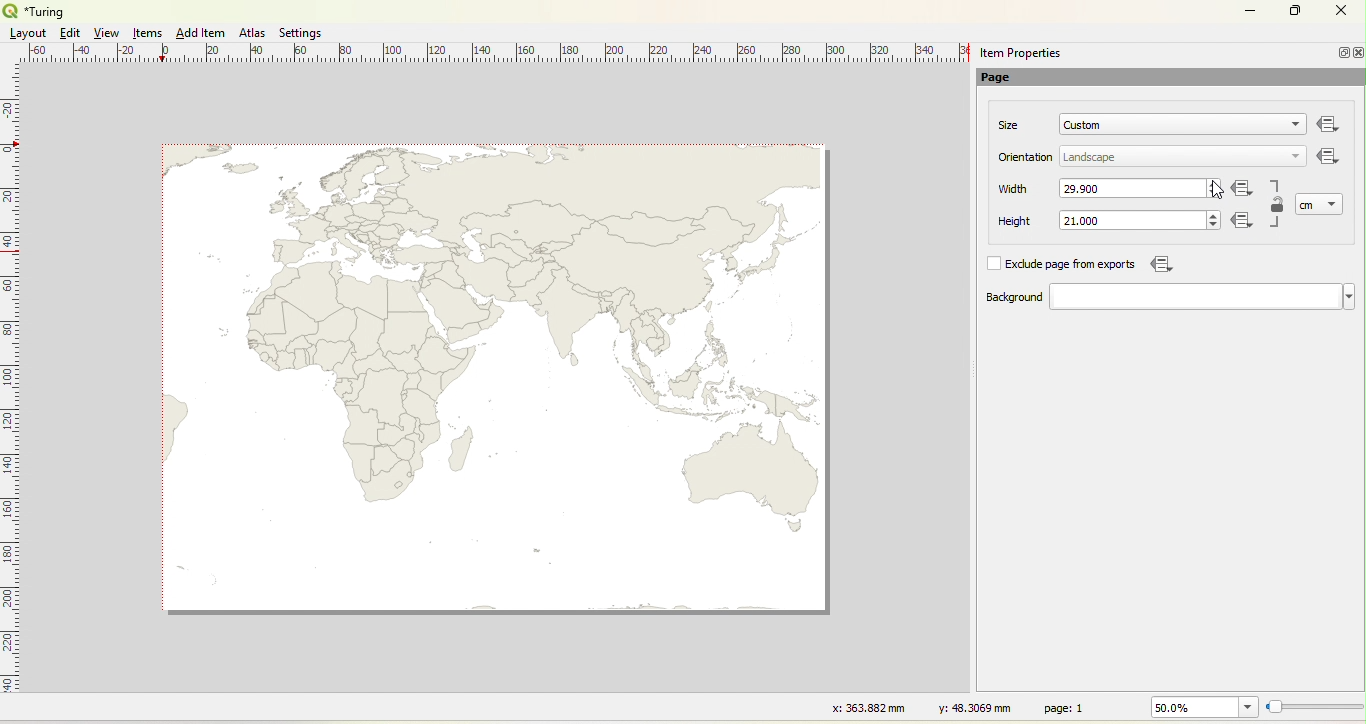 This screenshot has height=724, width=1366. I want to click on dropdown, so click(1296, 155).